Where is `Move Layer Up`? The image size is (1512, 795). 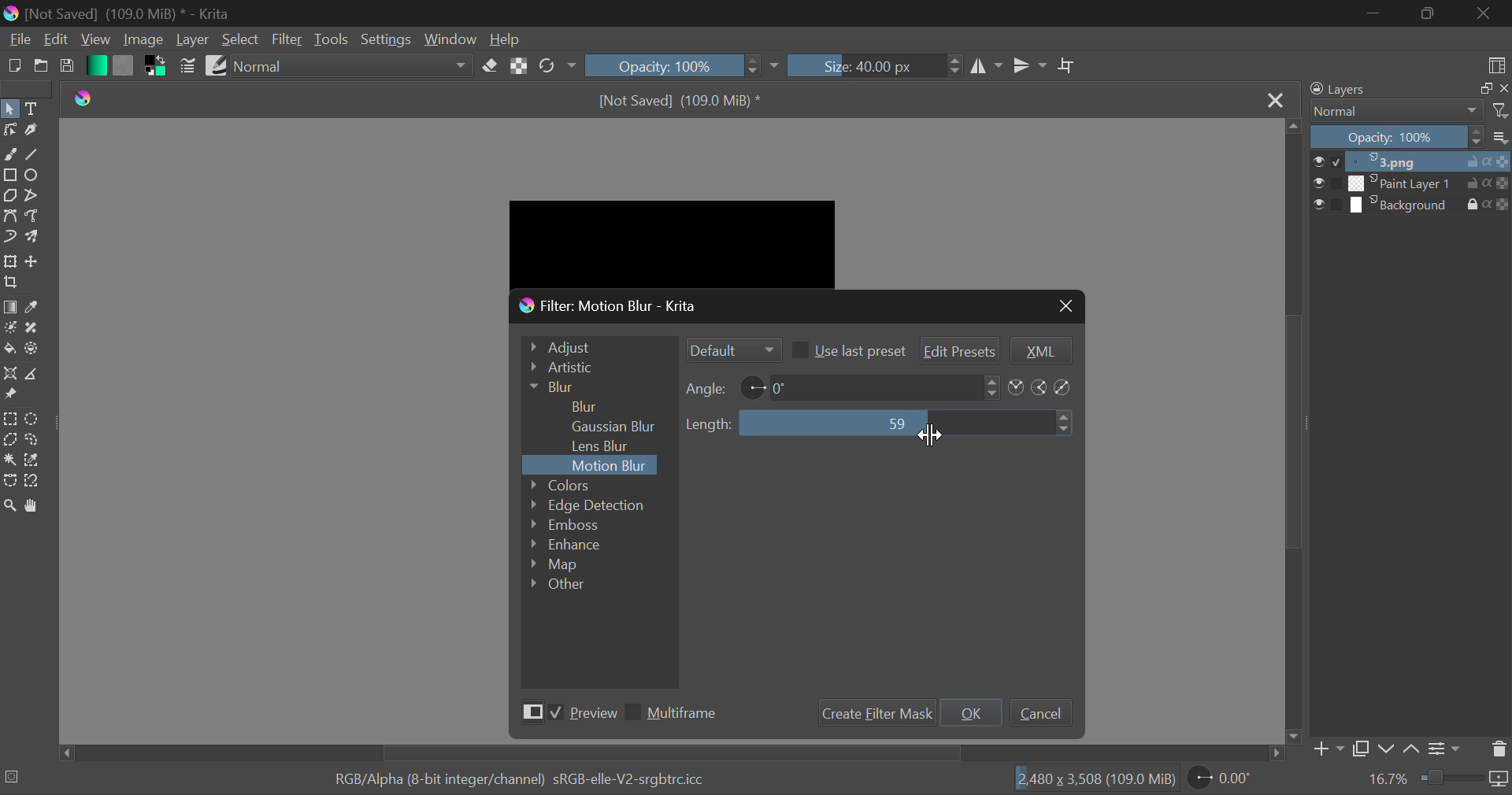 Move Layer Up is located at coordinates (1413, 746).